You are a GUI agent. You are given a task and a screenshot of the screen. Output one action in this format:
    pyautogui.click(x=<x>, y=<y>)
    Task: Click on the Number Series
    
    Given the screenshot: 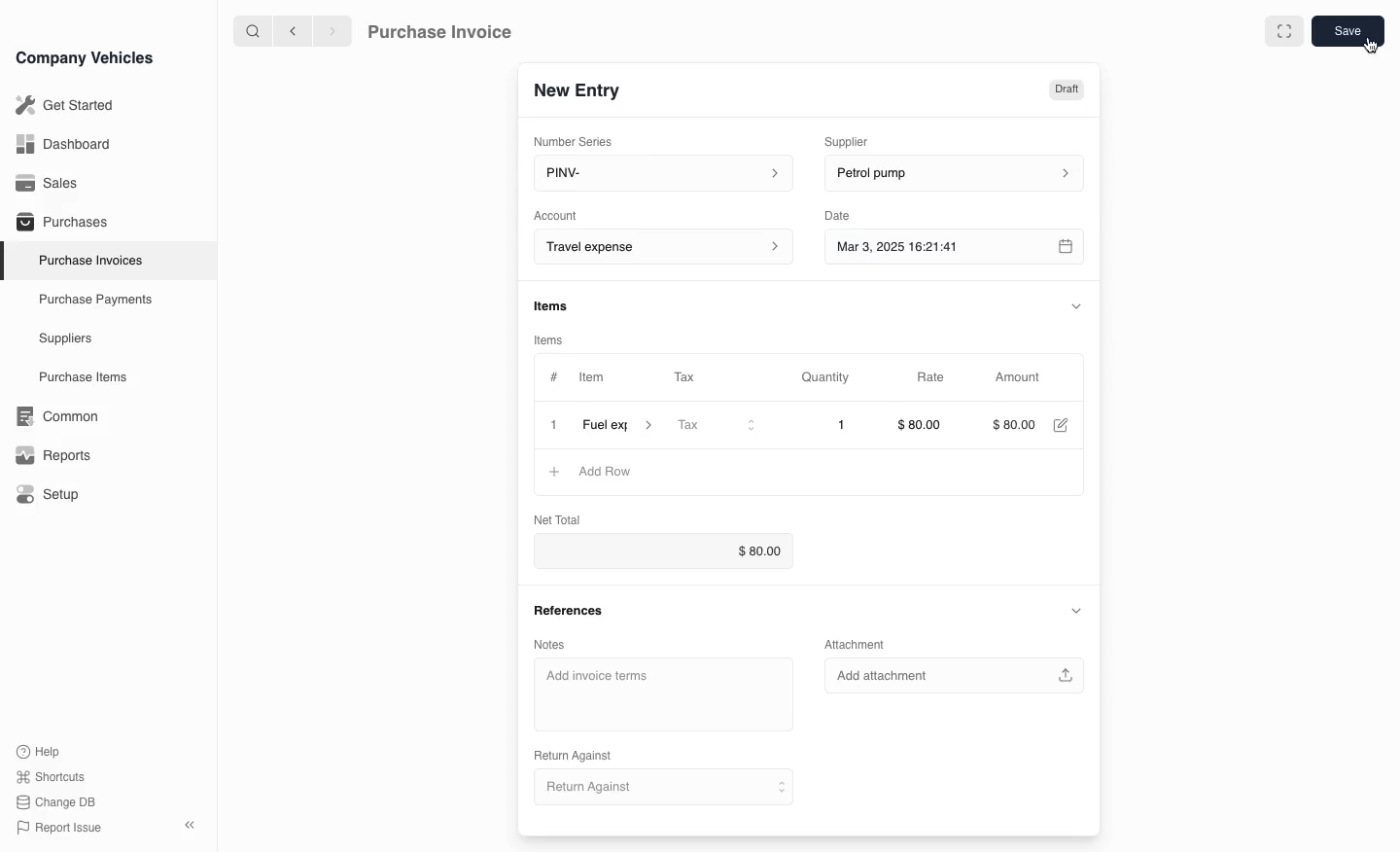 What is the action you would take?
    pyautogui.click(x=579, y=139)
    